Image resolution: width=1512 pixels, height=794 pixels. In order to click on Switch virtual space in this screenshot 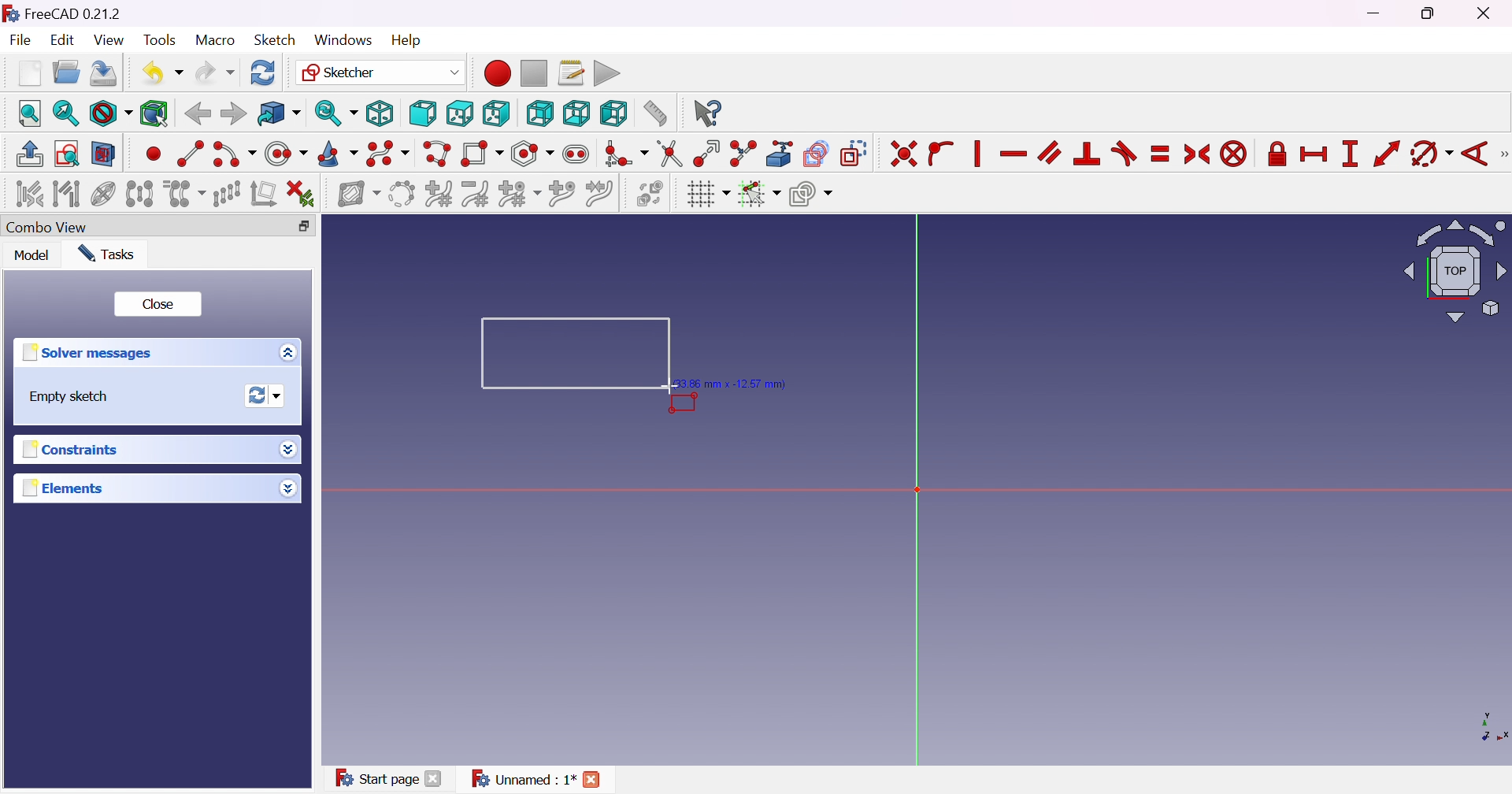, I will do `click(653, 195)`.